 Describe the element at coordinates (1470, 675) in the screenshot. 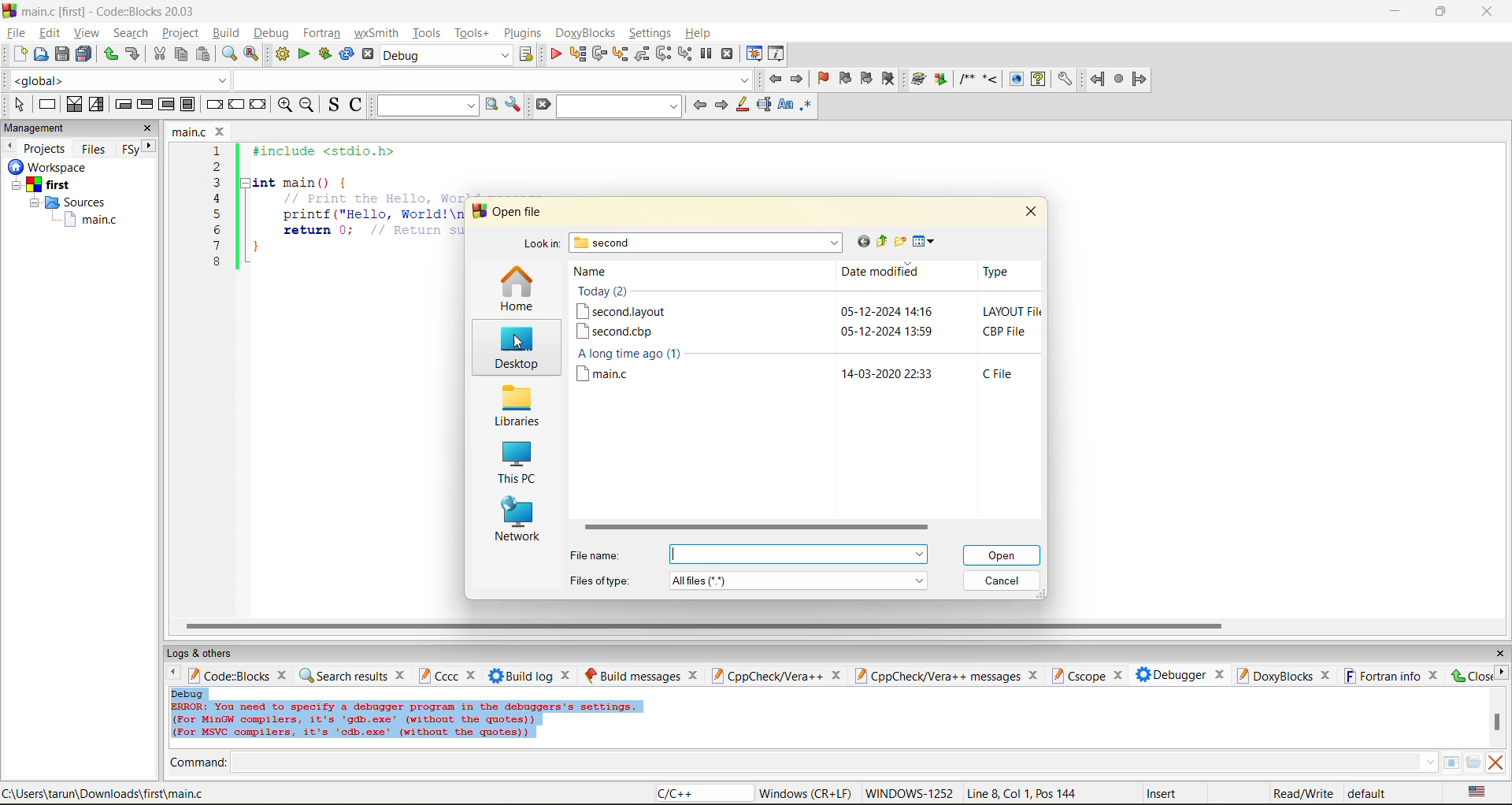

I see `close` at that location.